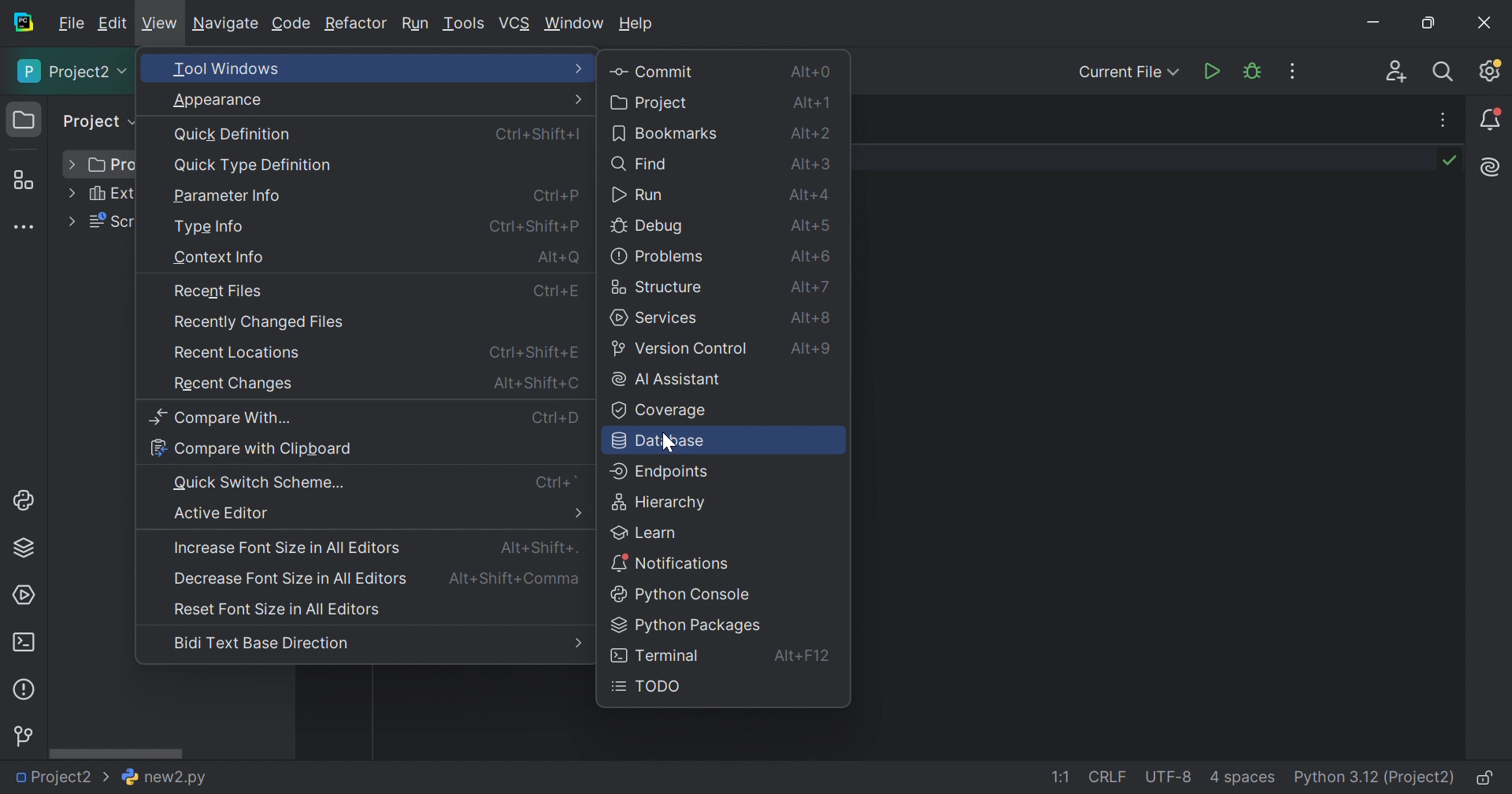 This screenshot has height=794, width=1512. I want to click on Make file read-only, so click(1487, 779).